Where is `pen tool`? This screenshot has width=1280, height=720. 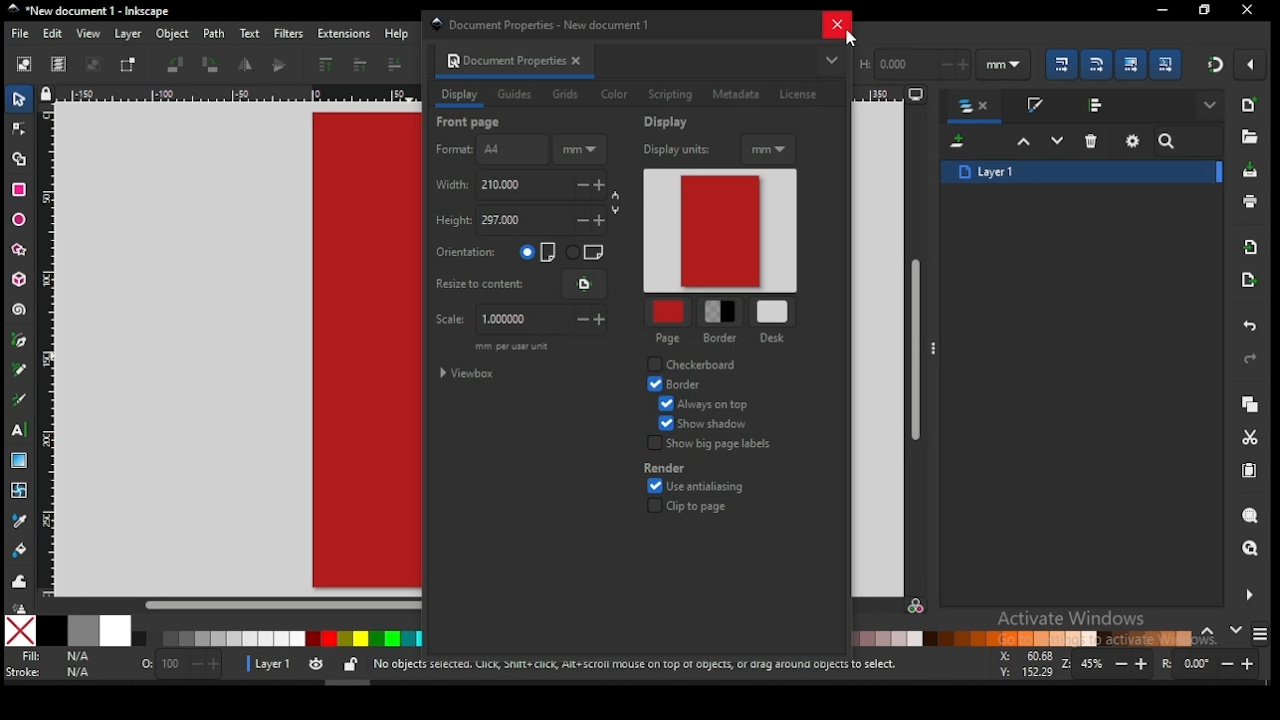 pen tool is located at coordinates (20, 341).